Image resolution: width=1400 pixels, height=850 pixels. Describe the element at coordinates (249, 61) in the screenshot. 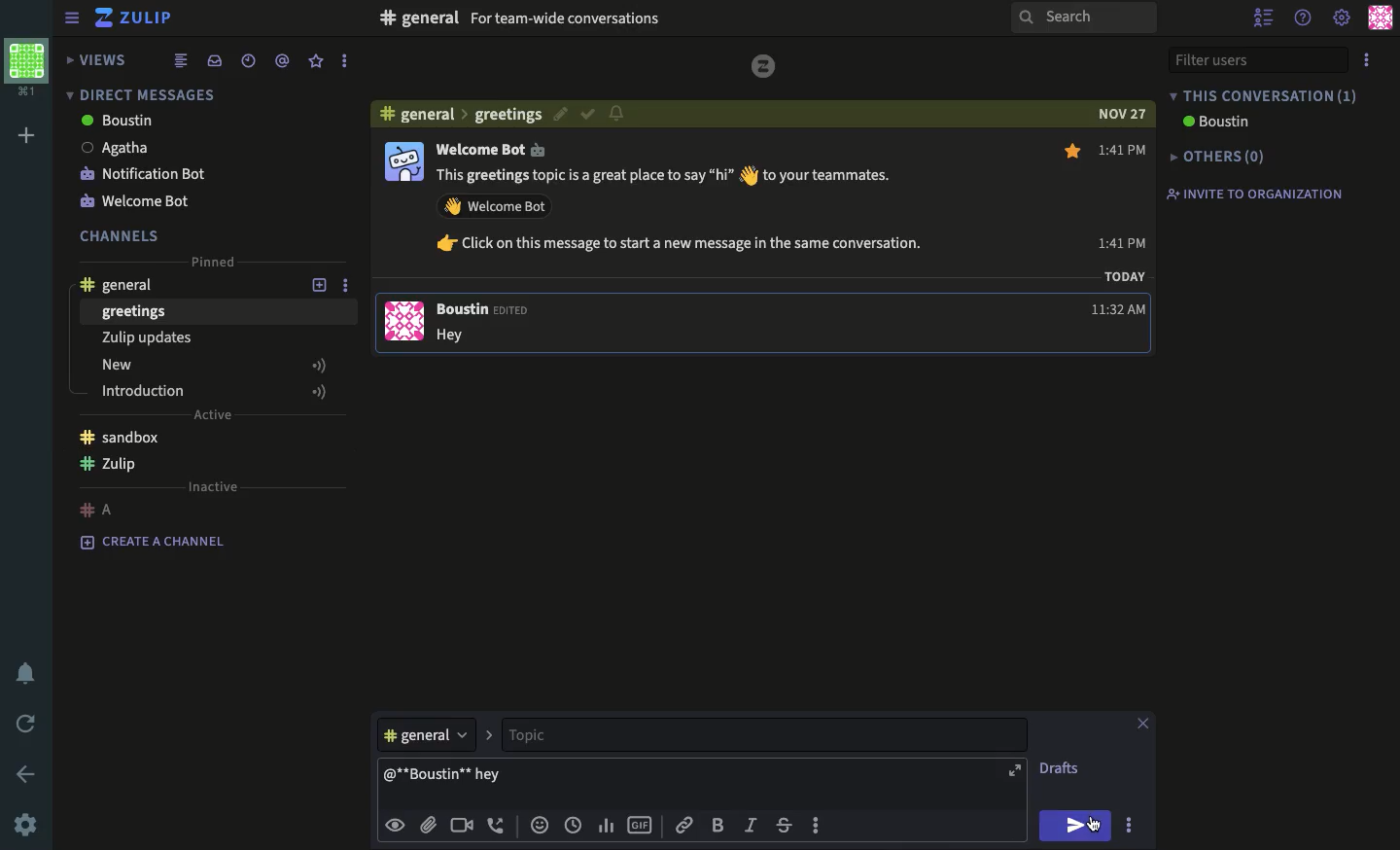

I see `recent conversations` at that location.